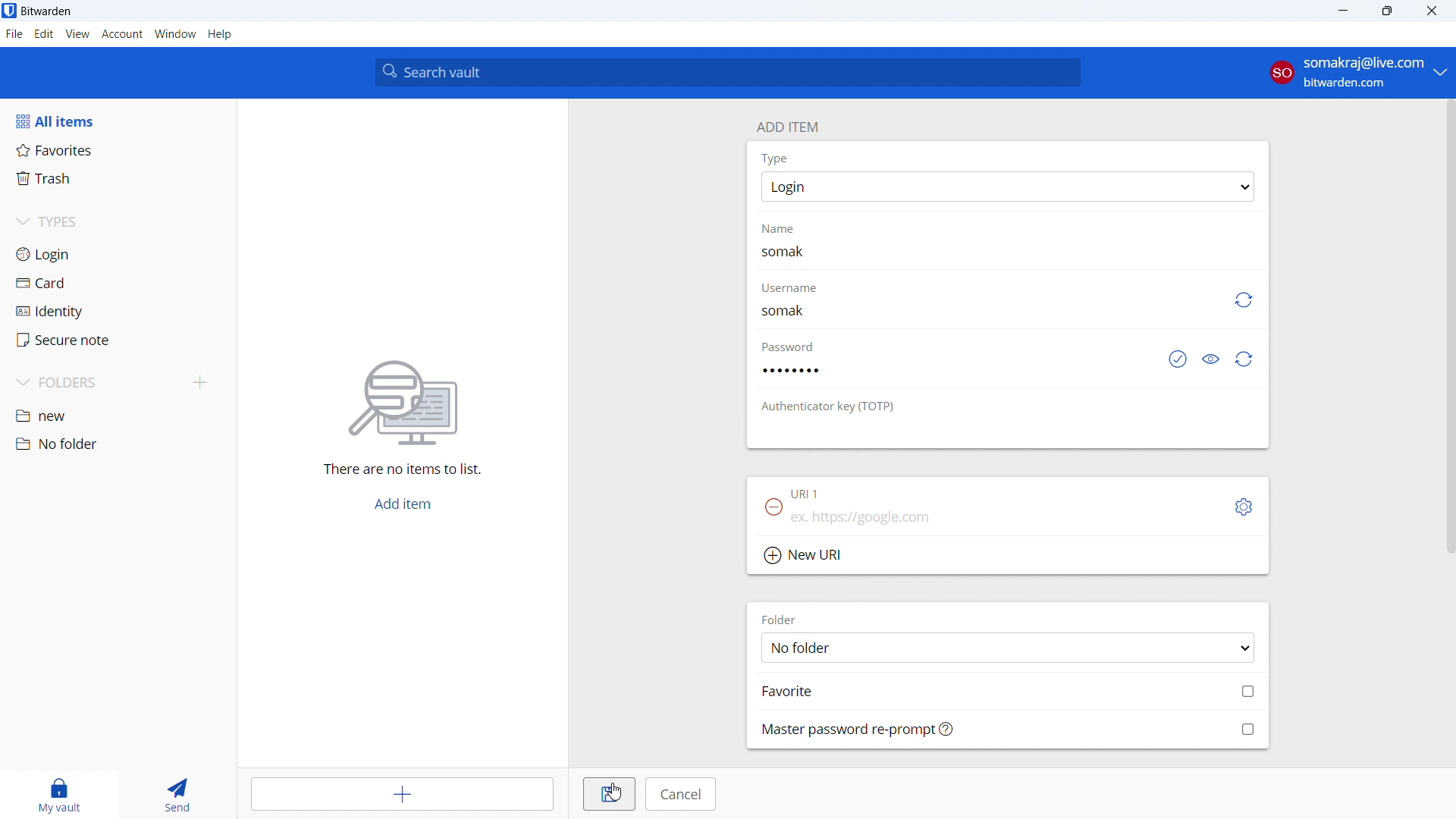  I want to click on edit, so click(44, 34).